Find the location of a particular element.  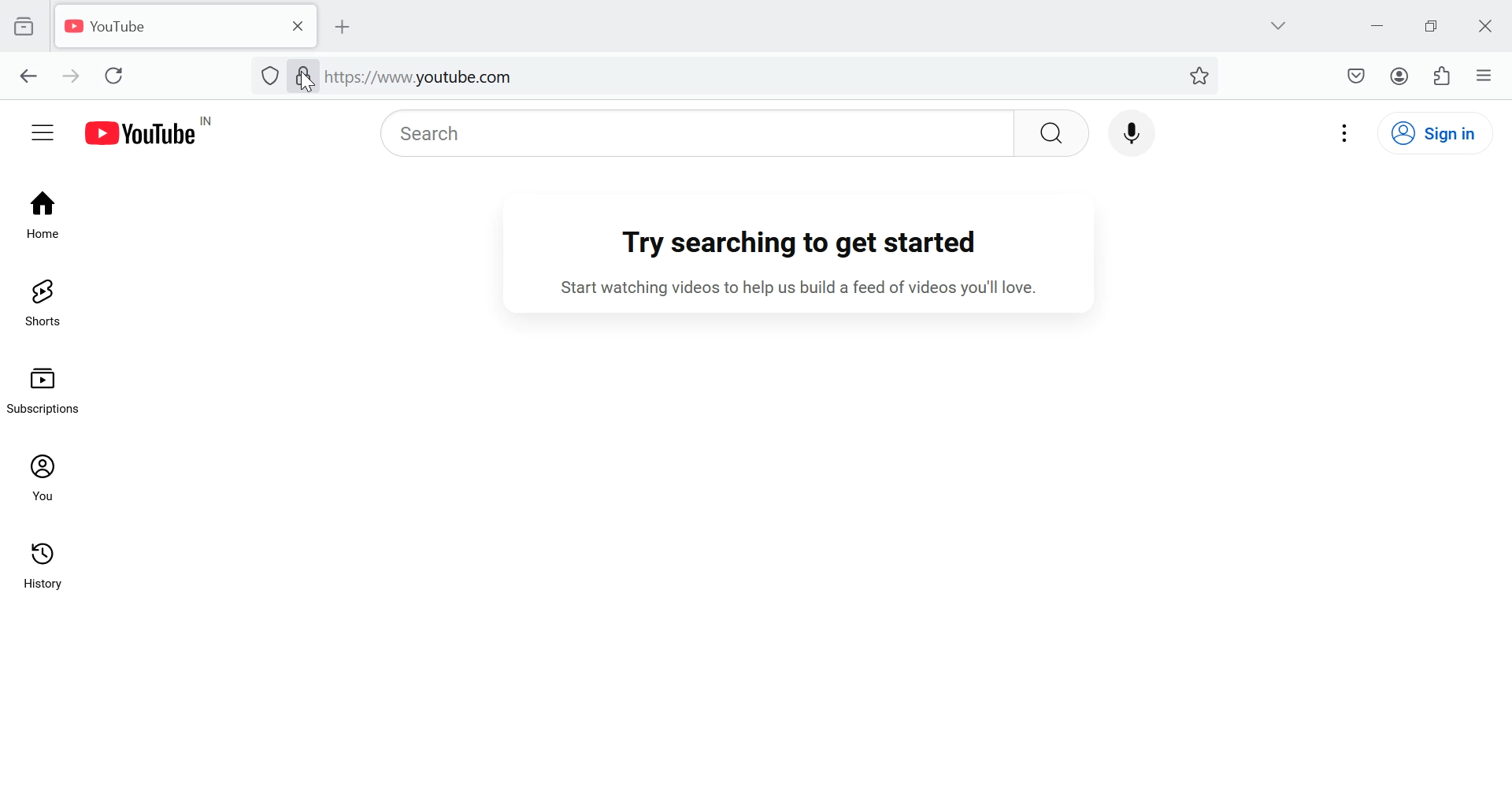

Go back one page. Right-click or pull down to show history is located at coordinates (28, 77).